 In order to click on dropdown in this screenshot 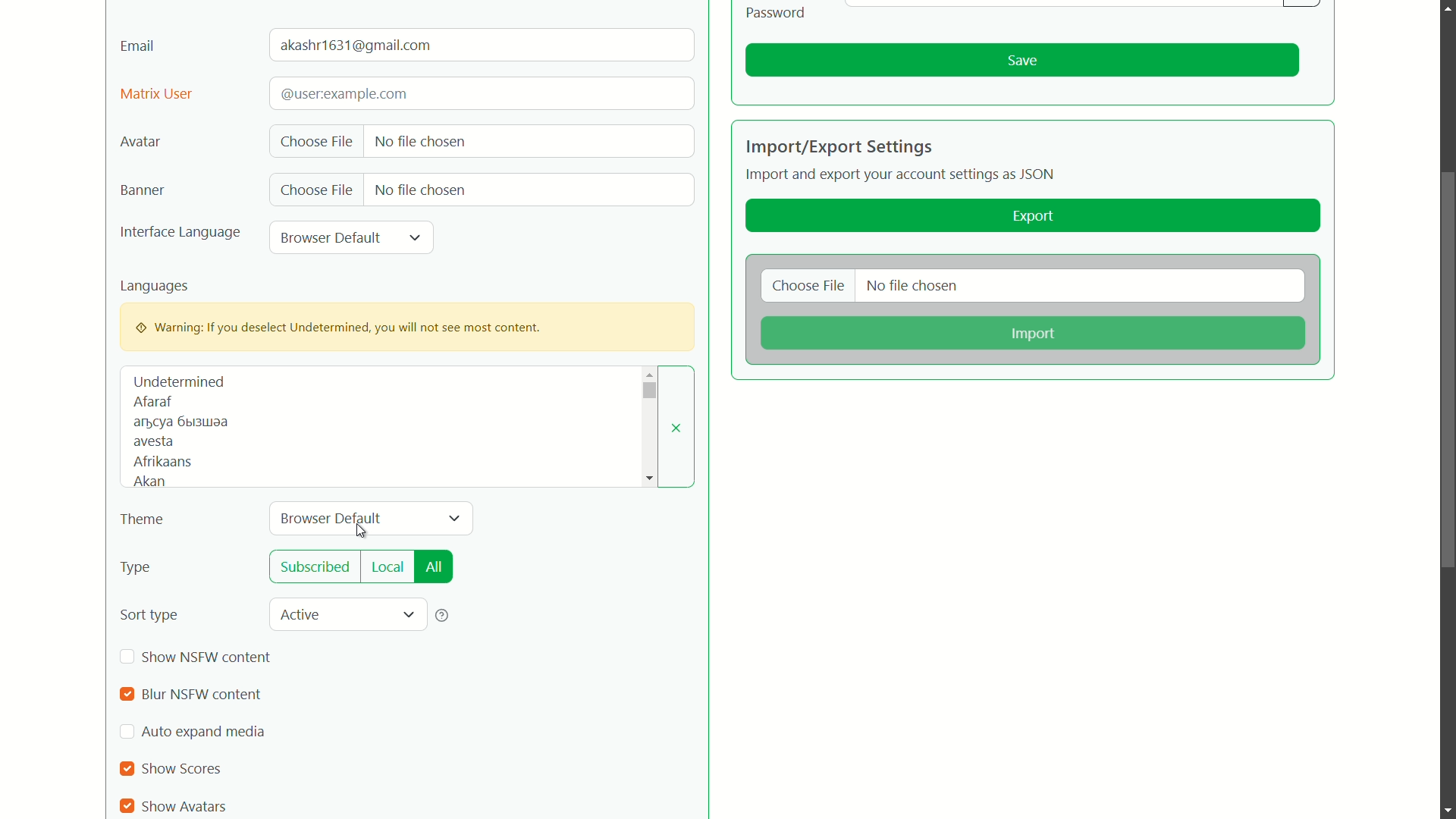, I will do `click(648, 391)`.